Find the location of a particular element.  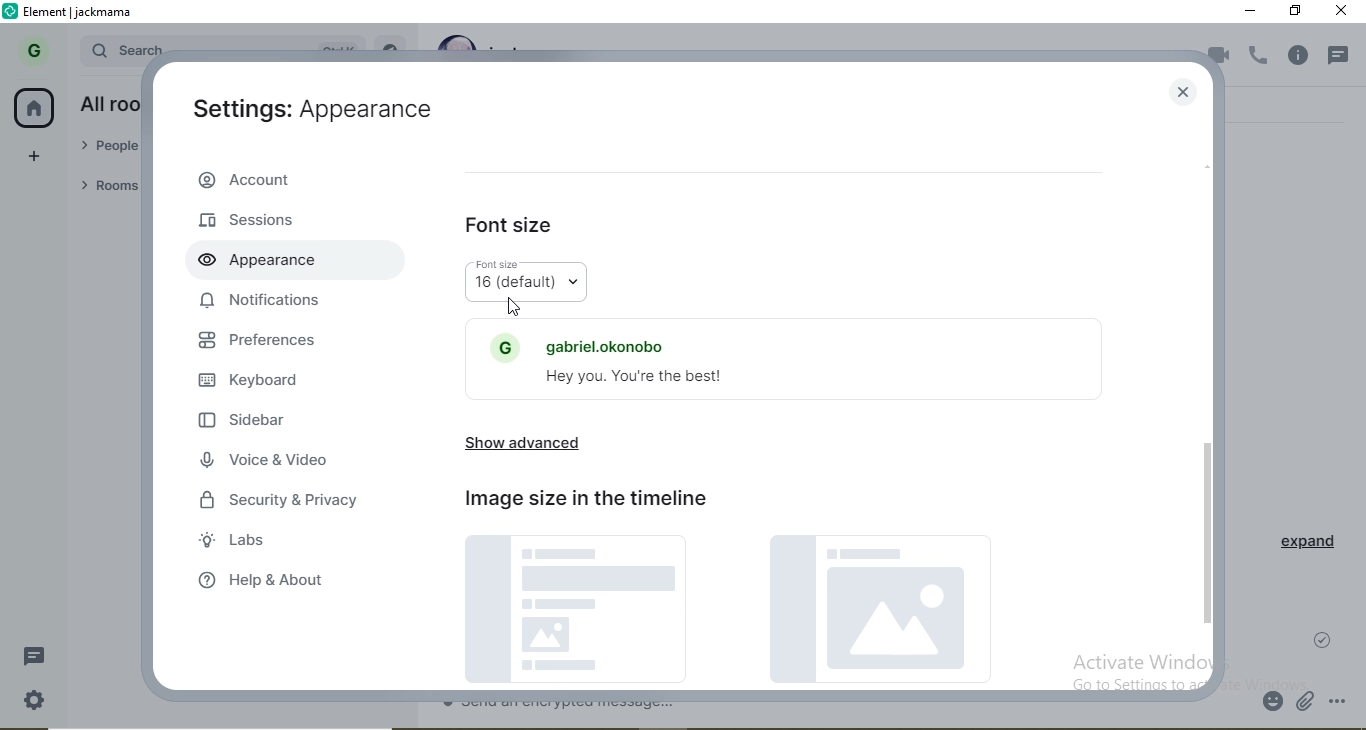

message is located at coordinates (40, 656).